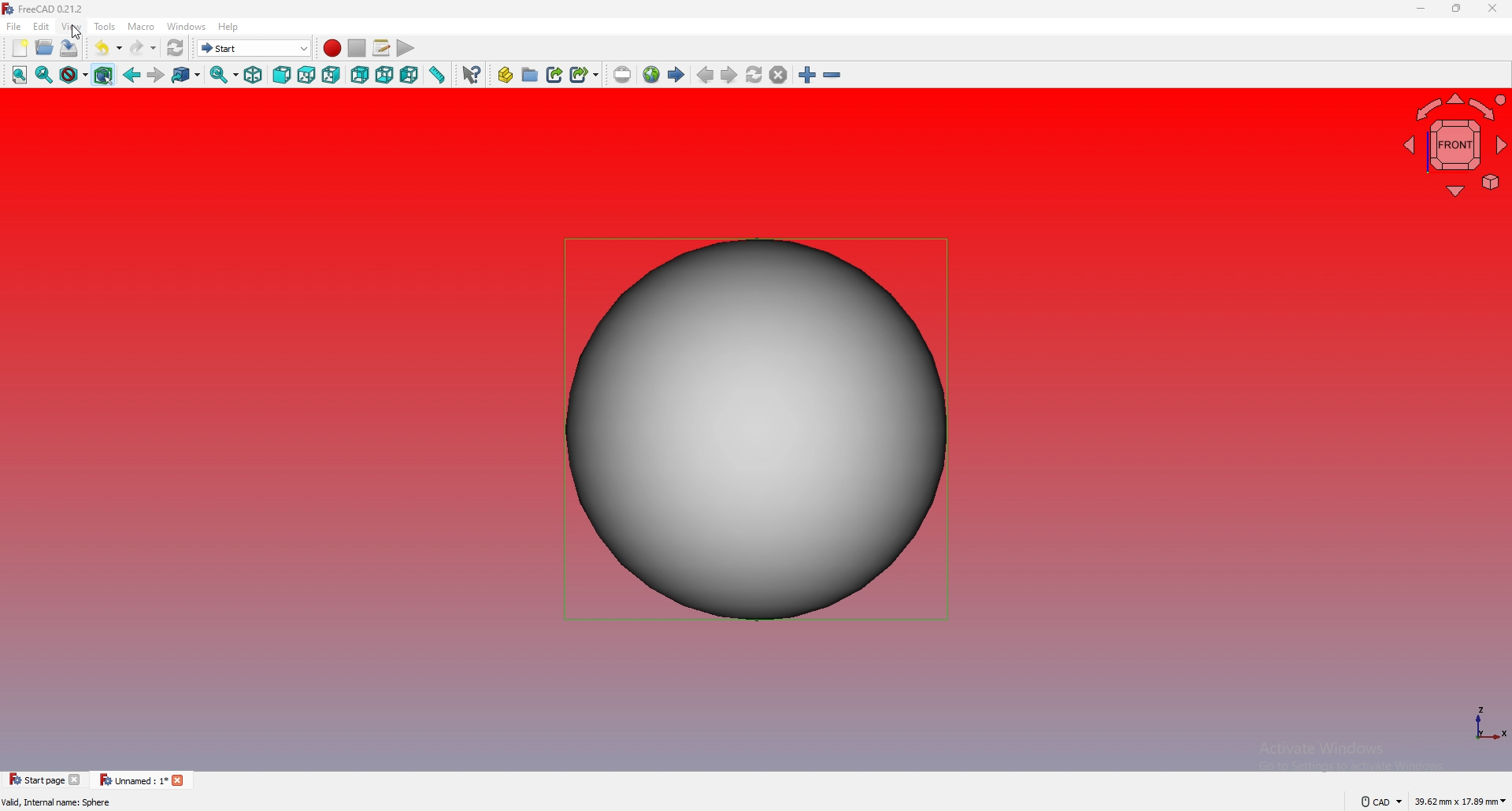 This screenshot has width=1512, height=811. I want to click on fit all, so click(20, 76).